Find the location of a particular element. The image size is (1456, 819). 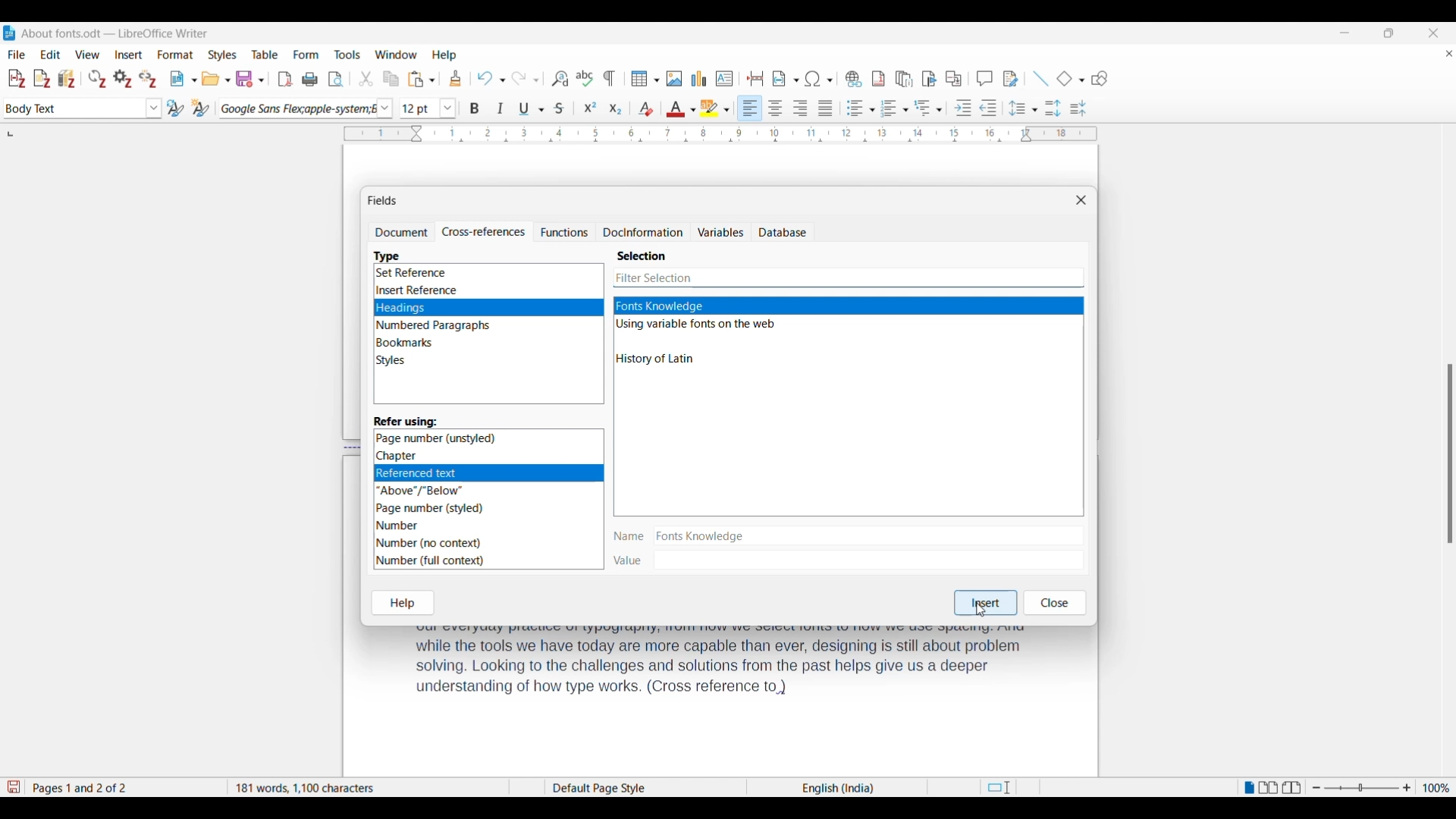

Bold is located at coordinates (475, 109).